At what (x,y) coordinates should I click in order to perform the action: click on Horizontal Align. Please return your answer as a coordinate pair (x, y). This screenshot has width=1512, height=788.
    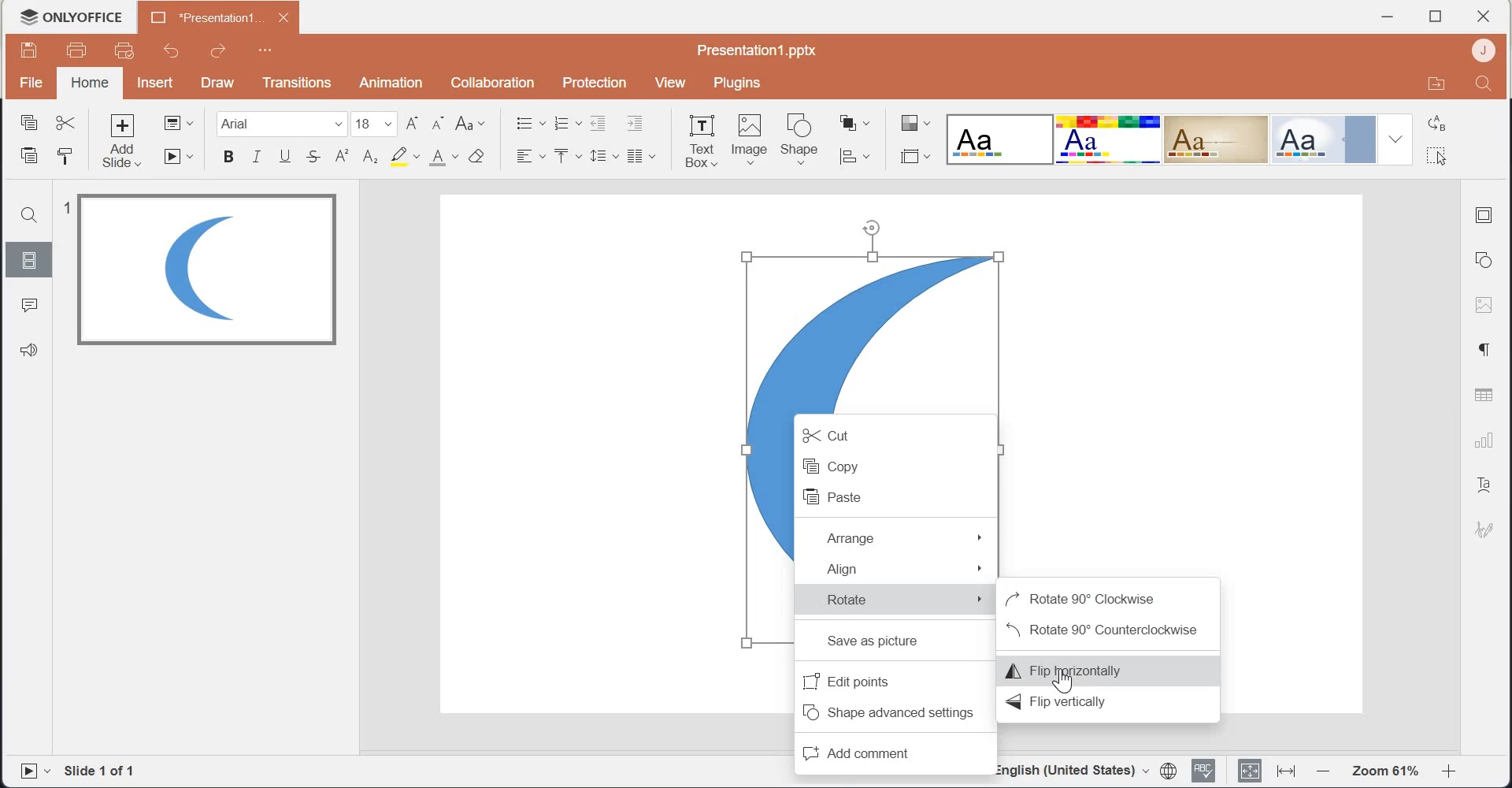
    Looking at the image, I should click on (530, 155).